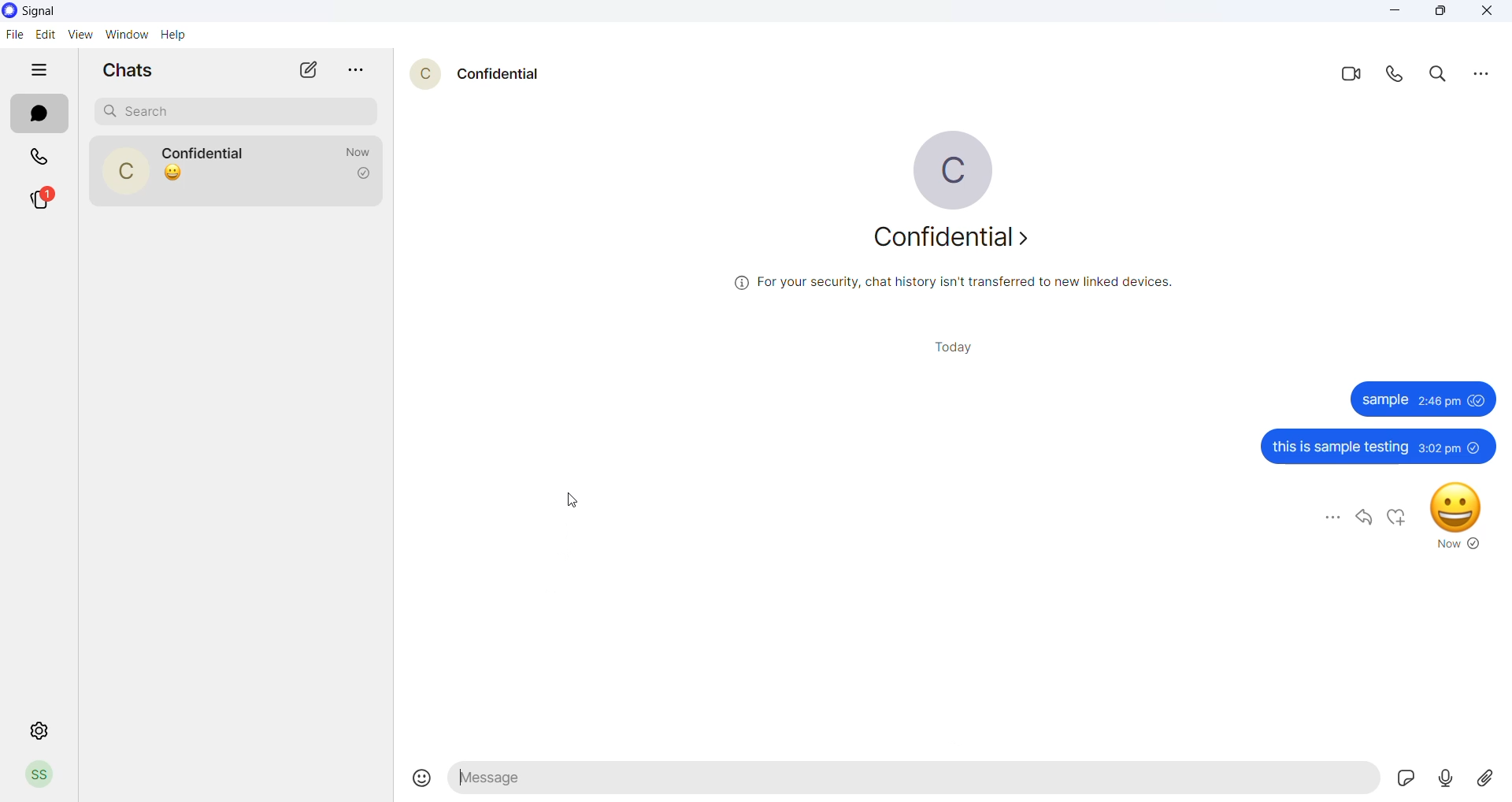 This screenshot has width=1512, height=802. What do you see at coordinates (952, 284) in the screenshot?
I see `security related text` at bounding box center [952, 284].